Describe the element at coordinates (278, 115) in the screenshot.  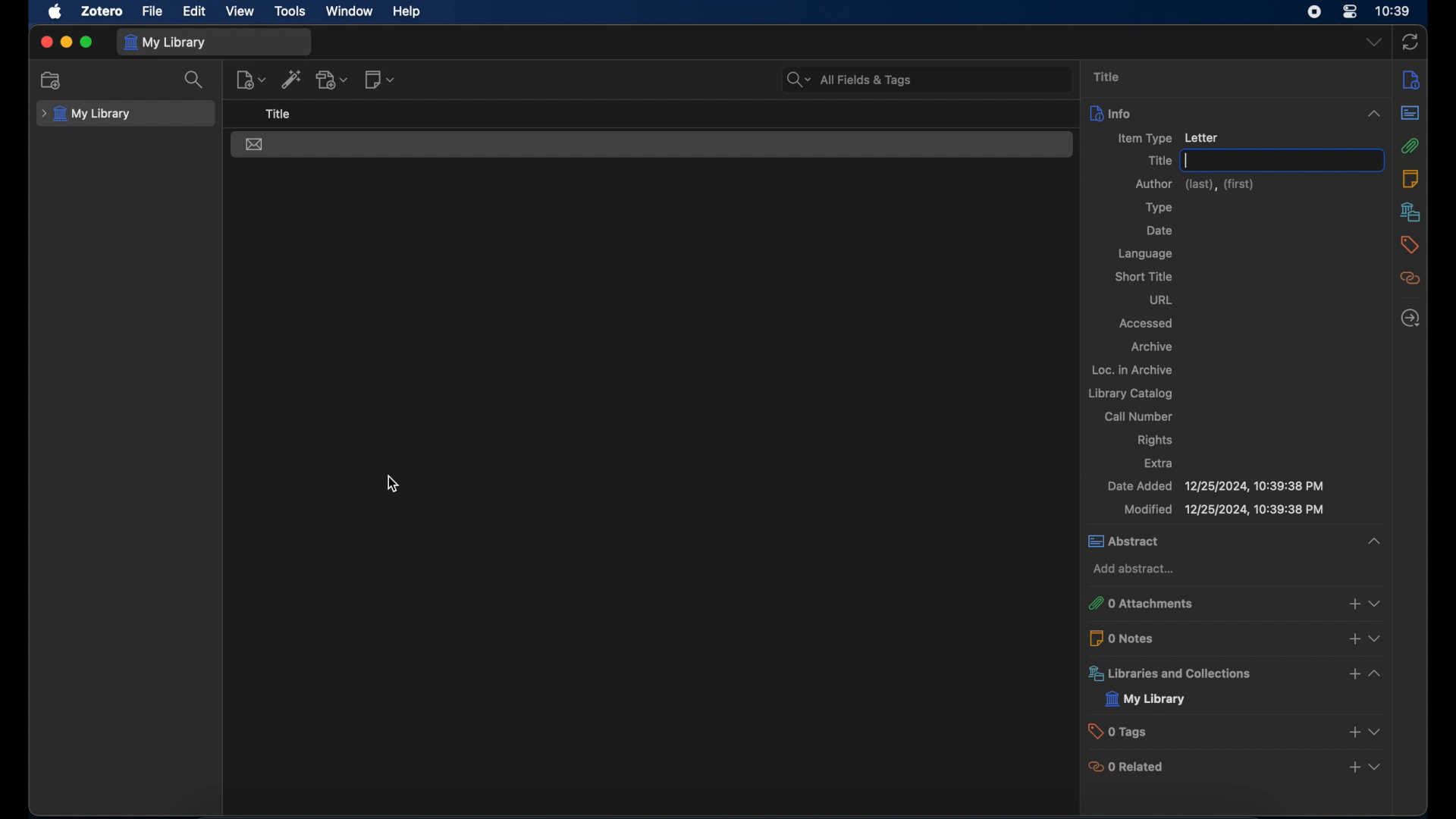
I see `title` at that location.